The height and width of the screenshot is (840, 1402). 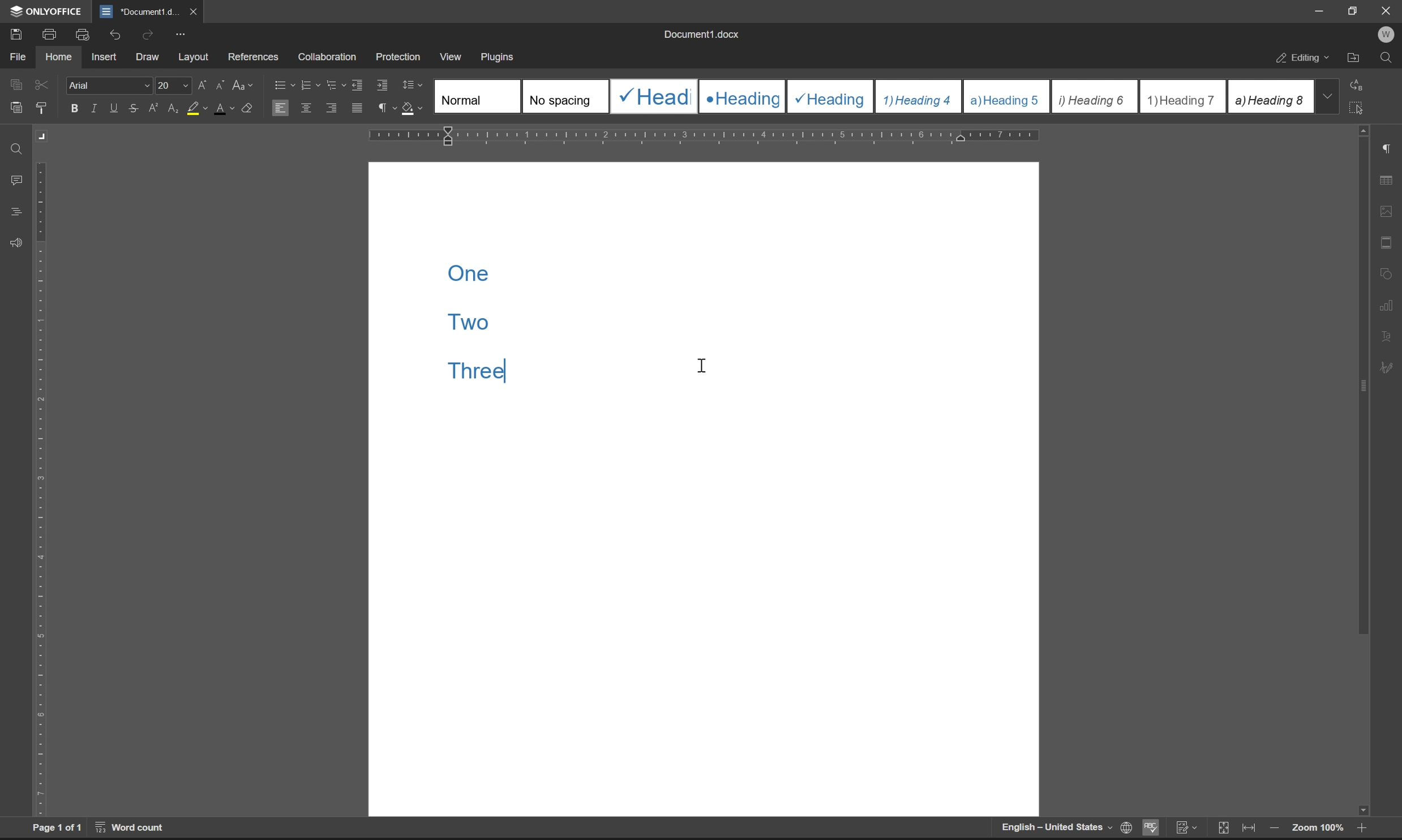 I want to click on ruler, so click(x=41, y=488).